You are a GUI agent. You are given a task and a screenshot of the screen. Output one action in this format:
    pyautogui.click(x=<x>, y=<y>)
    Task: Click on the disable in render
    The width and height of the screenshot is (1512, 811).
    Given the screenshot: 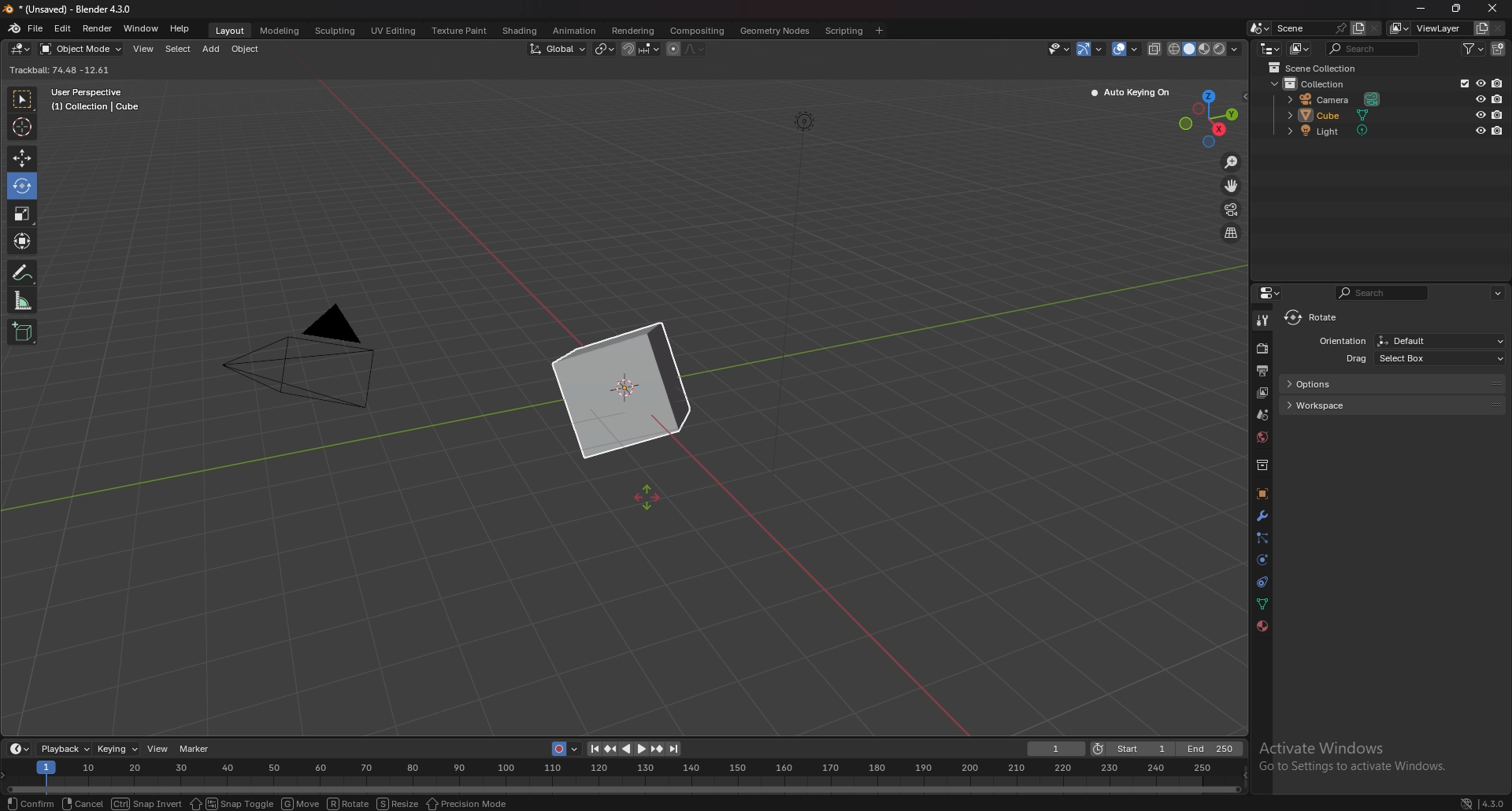 What is the action you would take?
    pyautogui.click(x=1499, y=130)
    